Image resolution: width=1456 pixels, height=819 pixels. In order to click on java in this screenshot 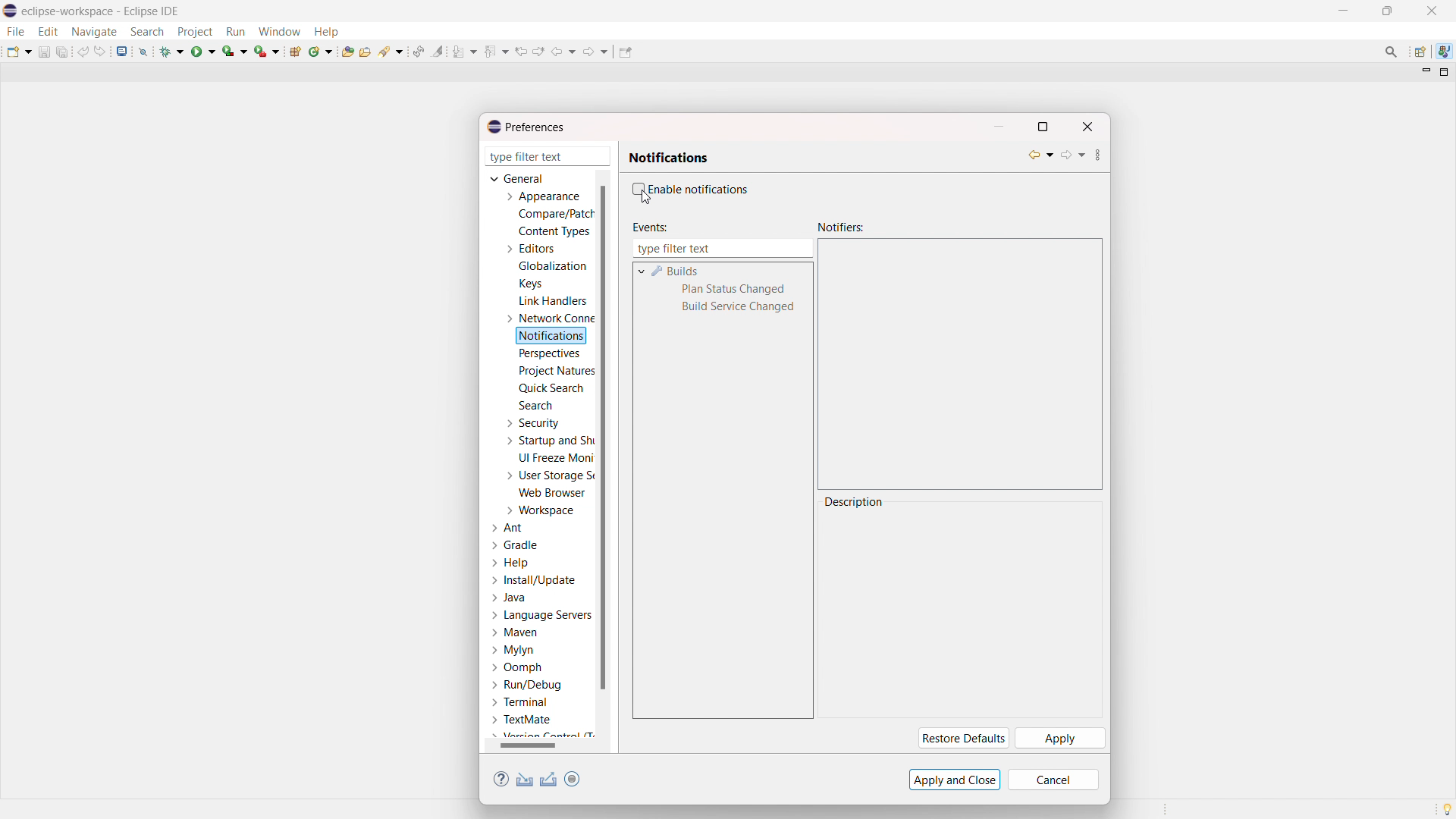, I will do `click(1445, 52)`.